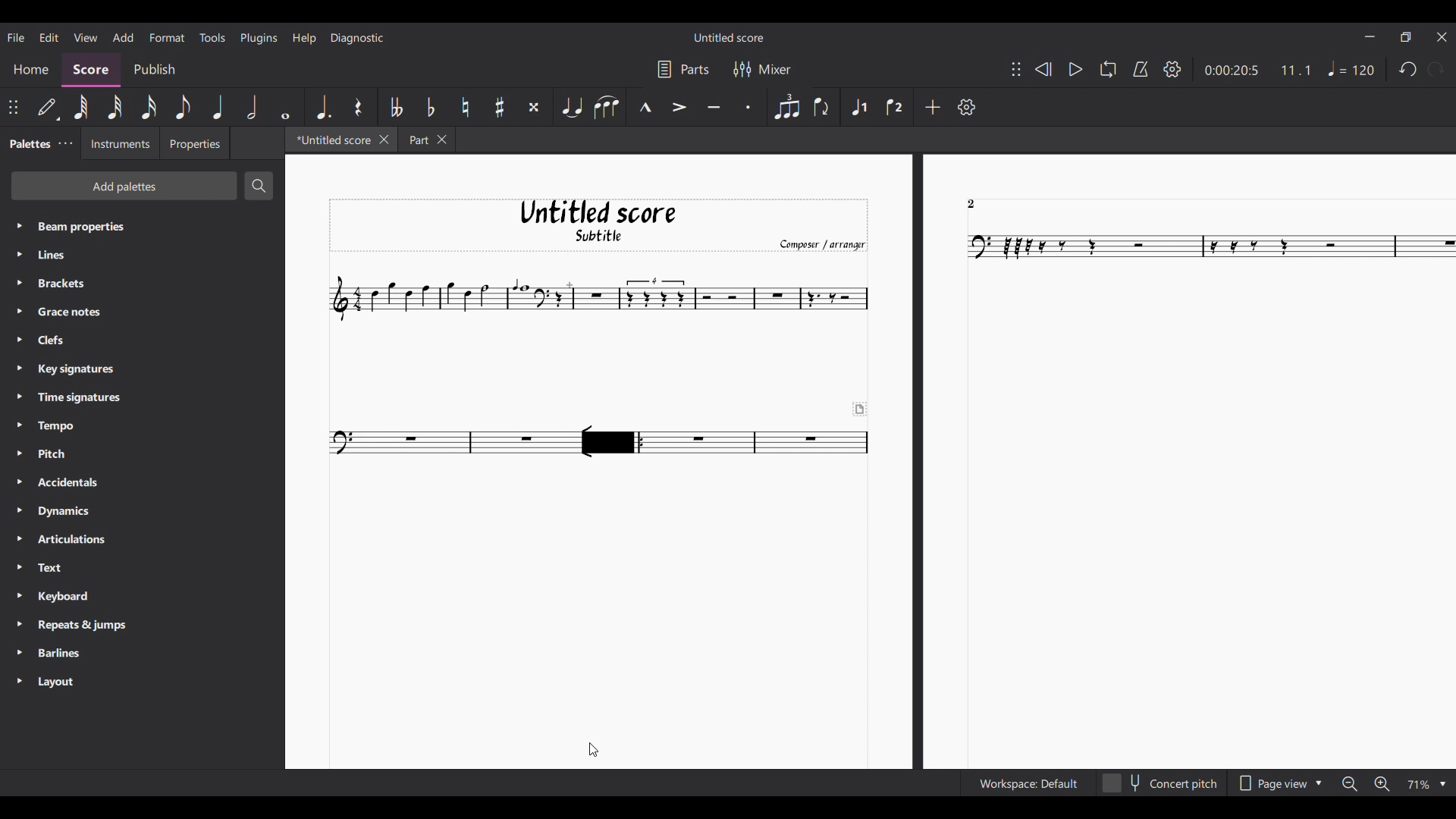 This screenshot has height=819, width=1456. Describe the element at coordinates (1442, 36) in the screenshot. I see `Close interface` at that location.